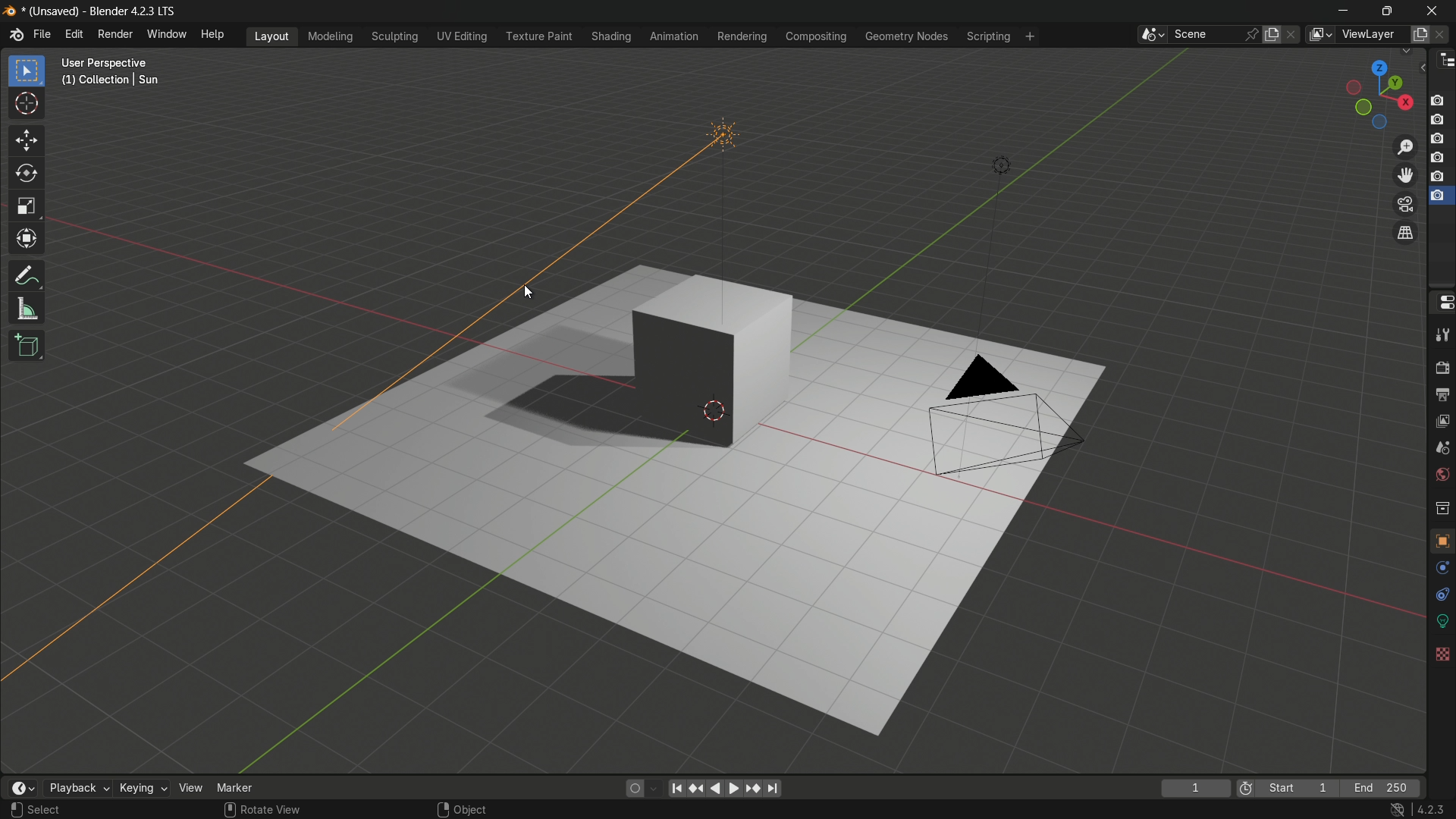 This screenshot has height=819, width=1456. I want to click on rotate, so click(28, 174).